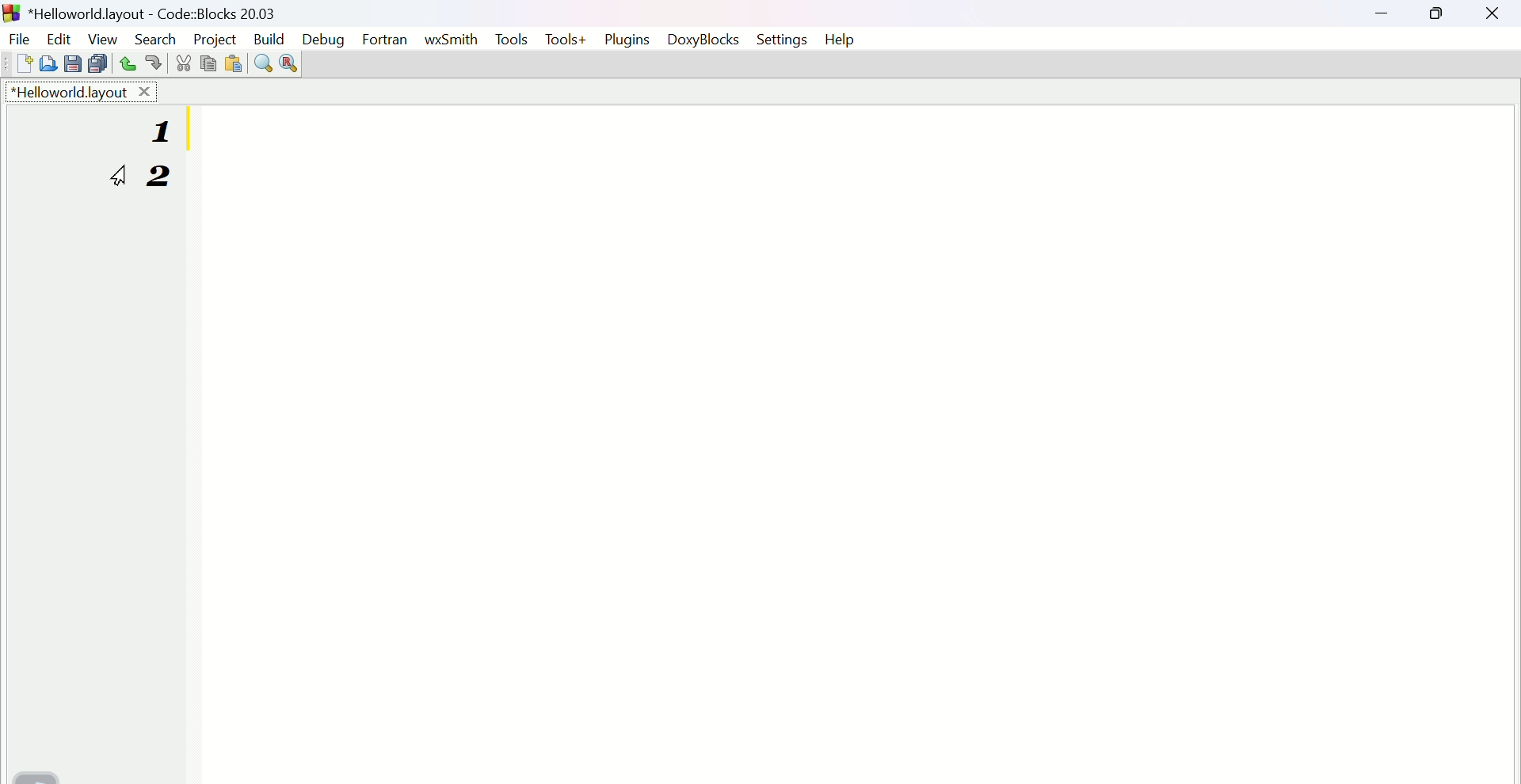  I want to click on Search in the  file, so click(47, 62).